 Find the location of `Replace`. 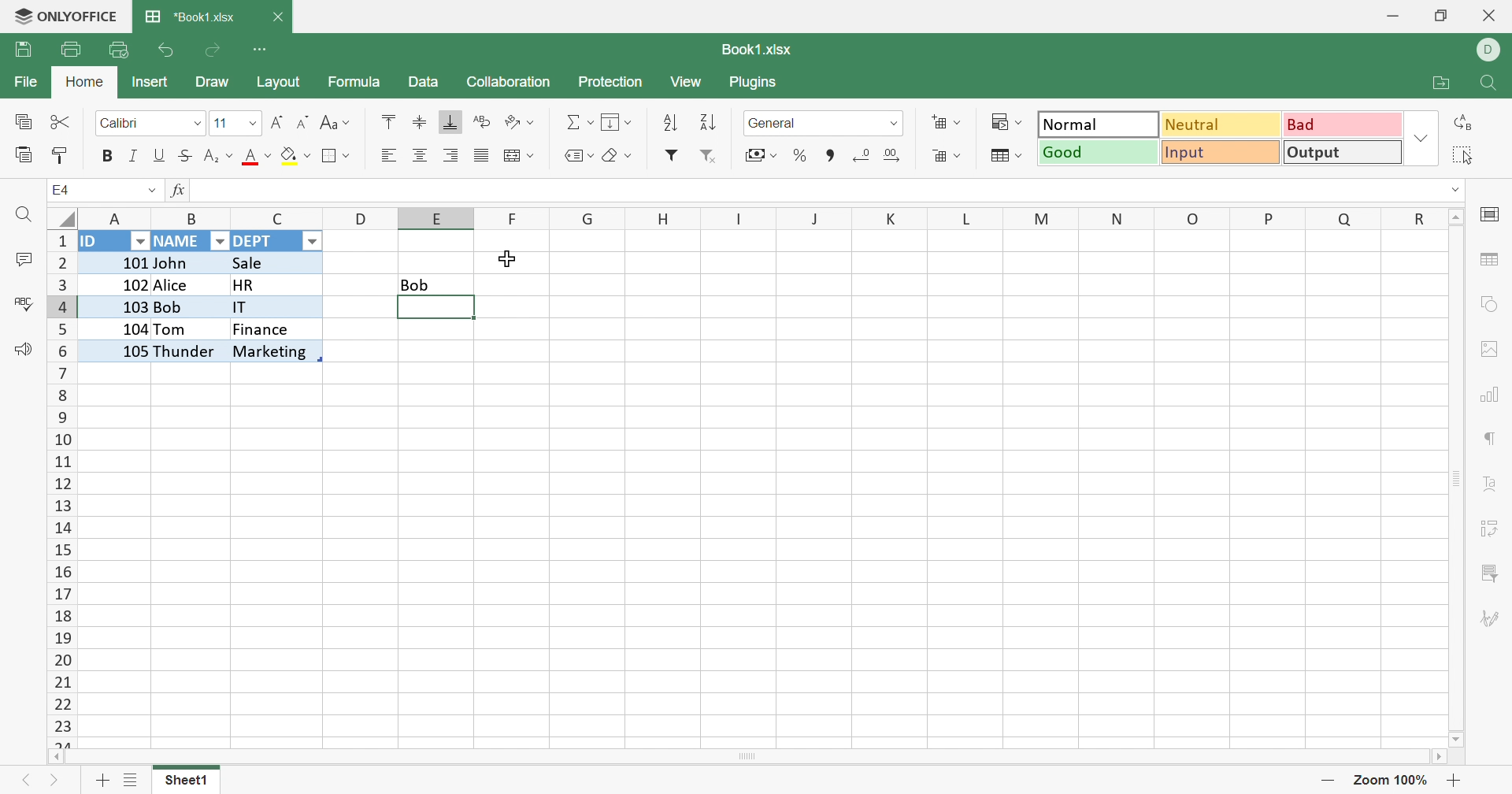

Replace is located at coordinates (1462, 124).